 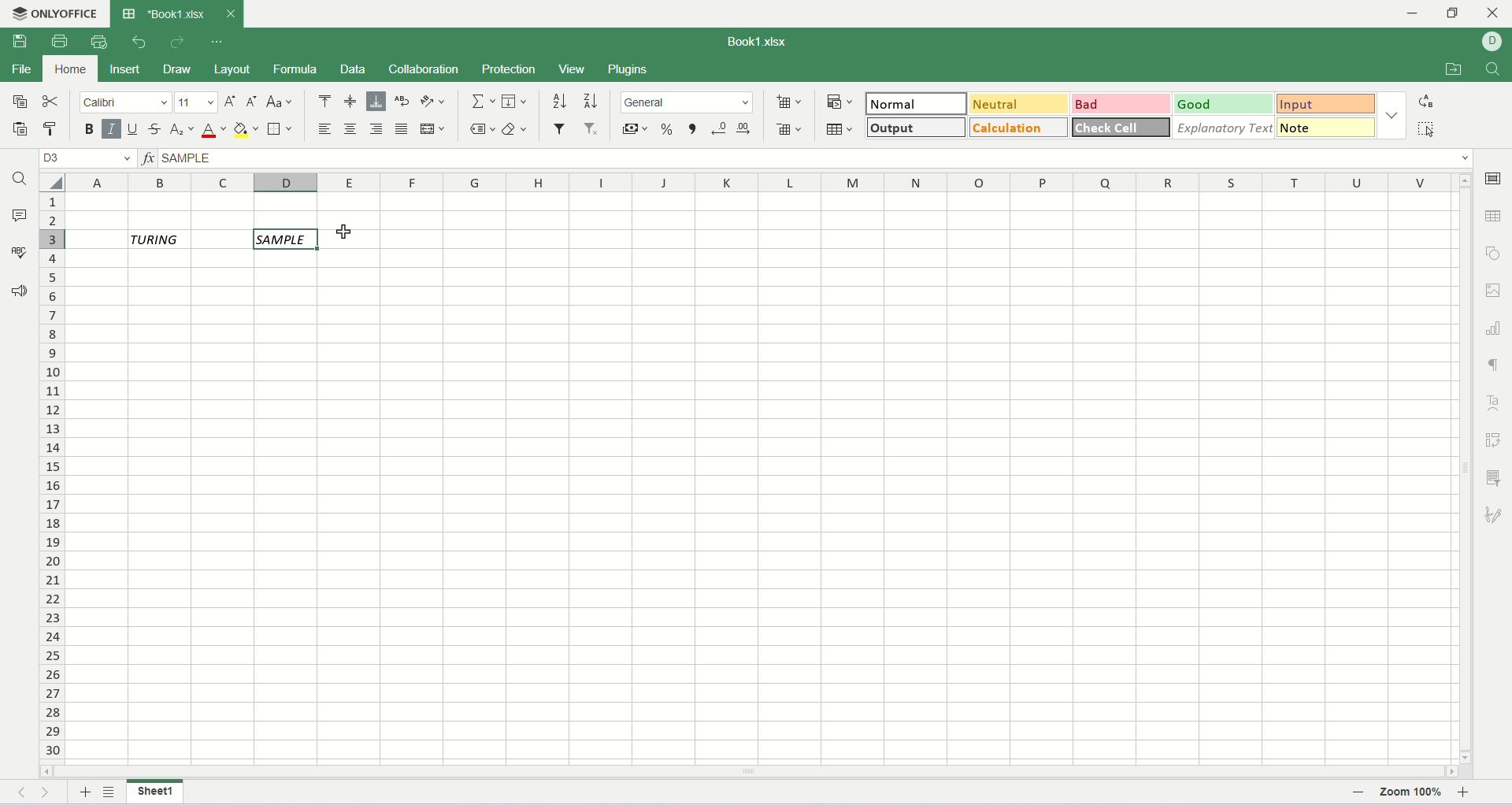 What do you see at coordinates (561, 127) in the screenshot?
I see `filter` at bounding box center [561, 127].